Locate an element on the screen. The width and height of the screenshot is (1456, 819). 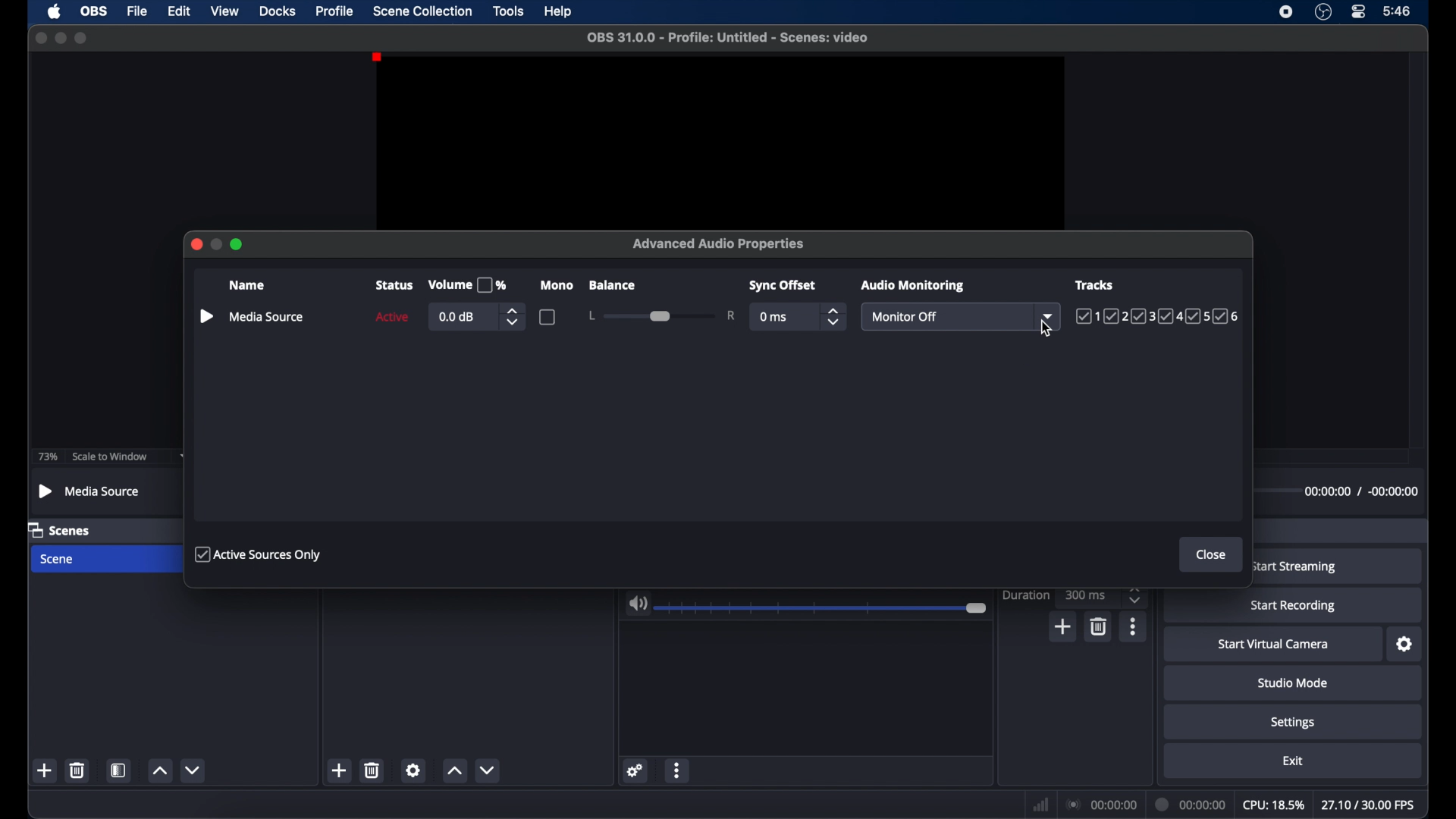
stepper buttons is located at coordinates (834, 316).